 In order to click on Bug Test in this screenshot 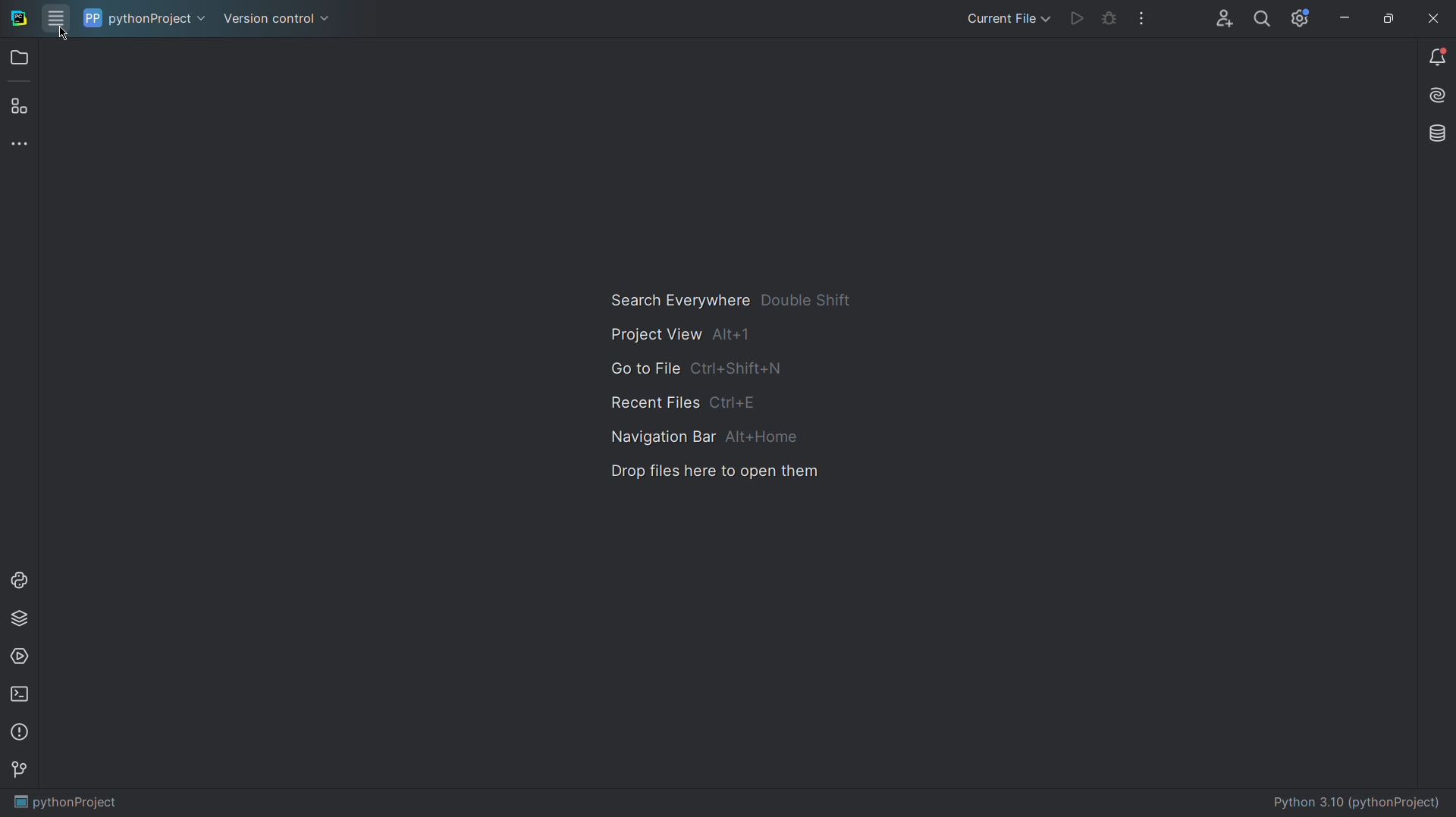, I will do `click(1111, 21)`.